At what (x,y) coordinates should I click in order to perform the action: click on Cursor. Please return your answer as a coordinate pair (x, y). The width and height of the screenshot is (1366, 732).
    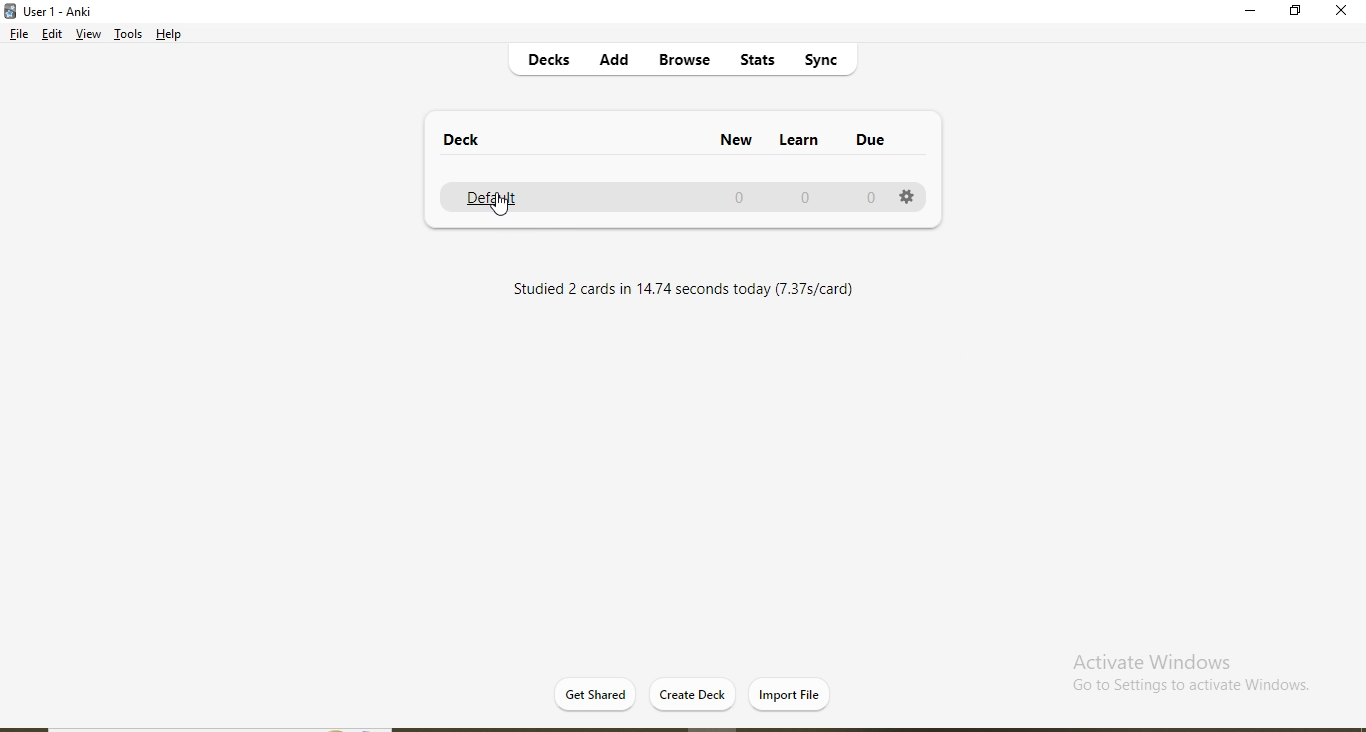
    Looking at the image, I should click on (499, 208).